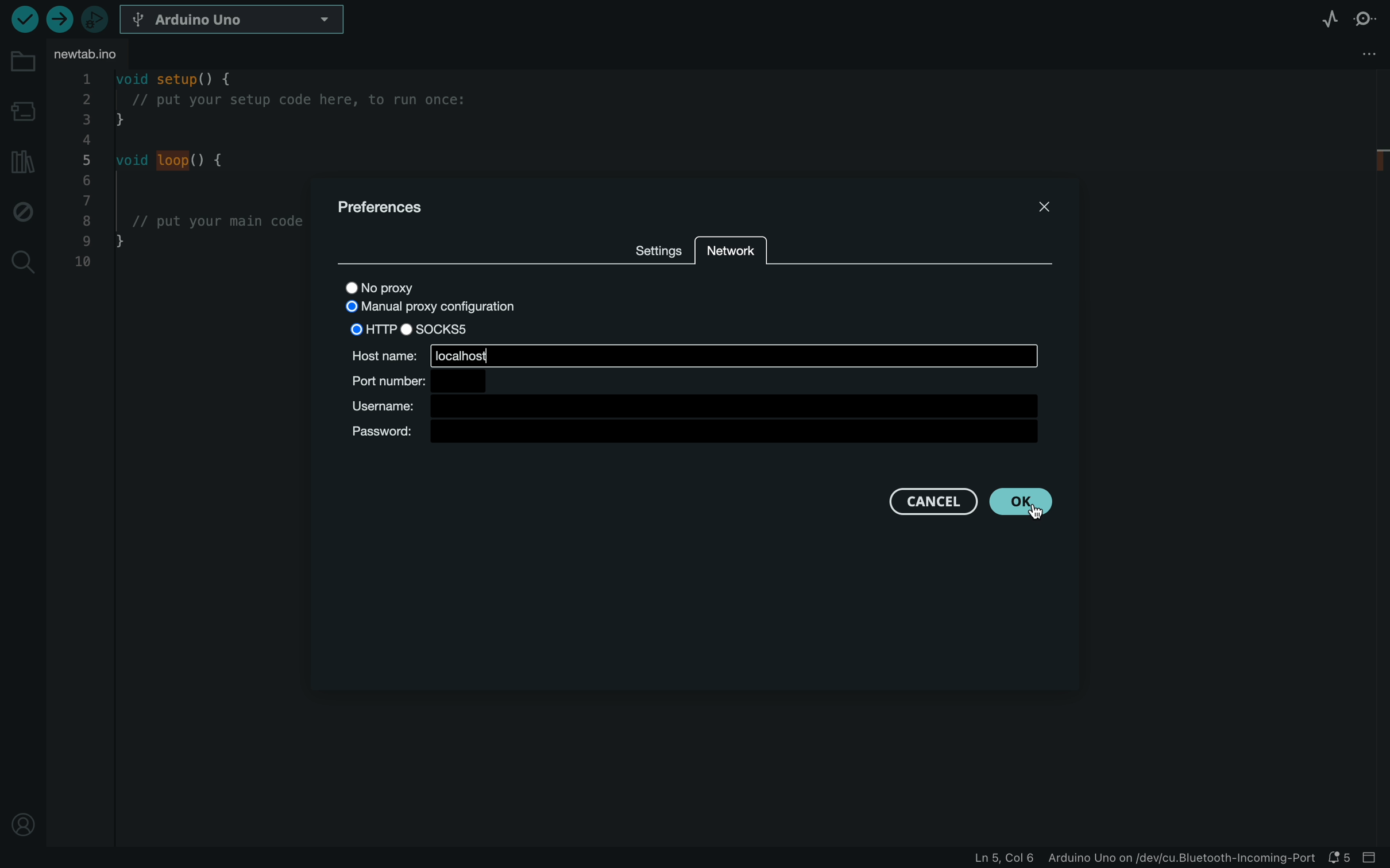  Describe the element at coordinates (23, 109) in the screenshot. I see `board manager` at that location.